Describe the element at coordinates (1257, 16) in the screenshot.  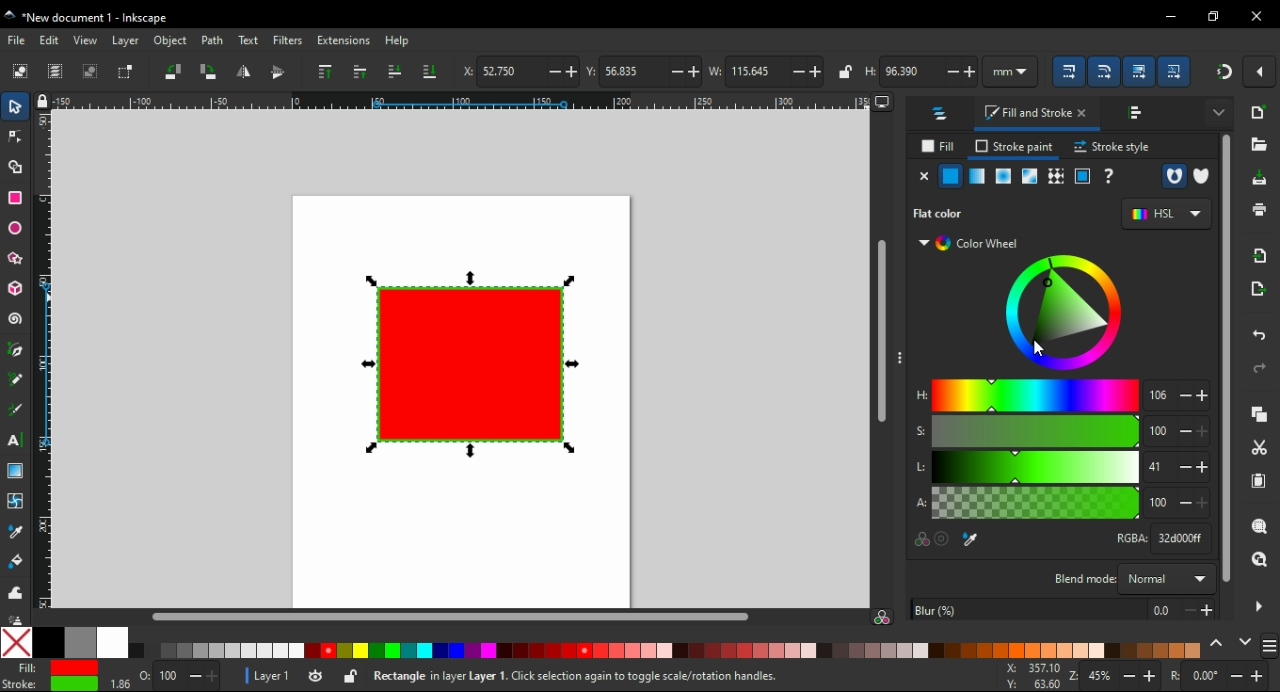
I see `close window` at that location.